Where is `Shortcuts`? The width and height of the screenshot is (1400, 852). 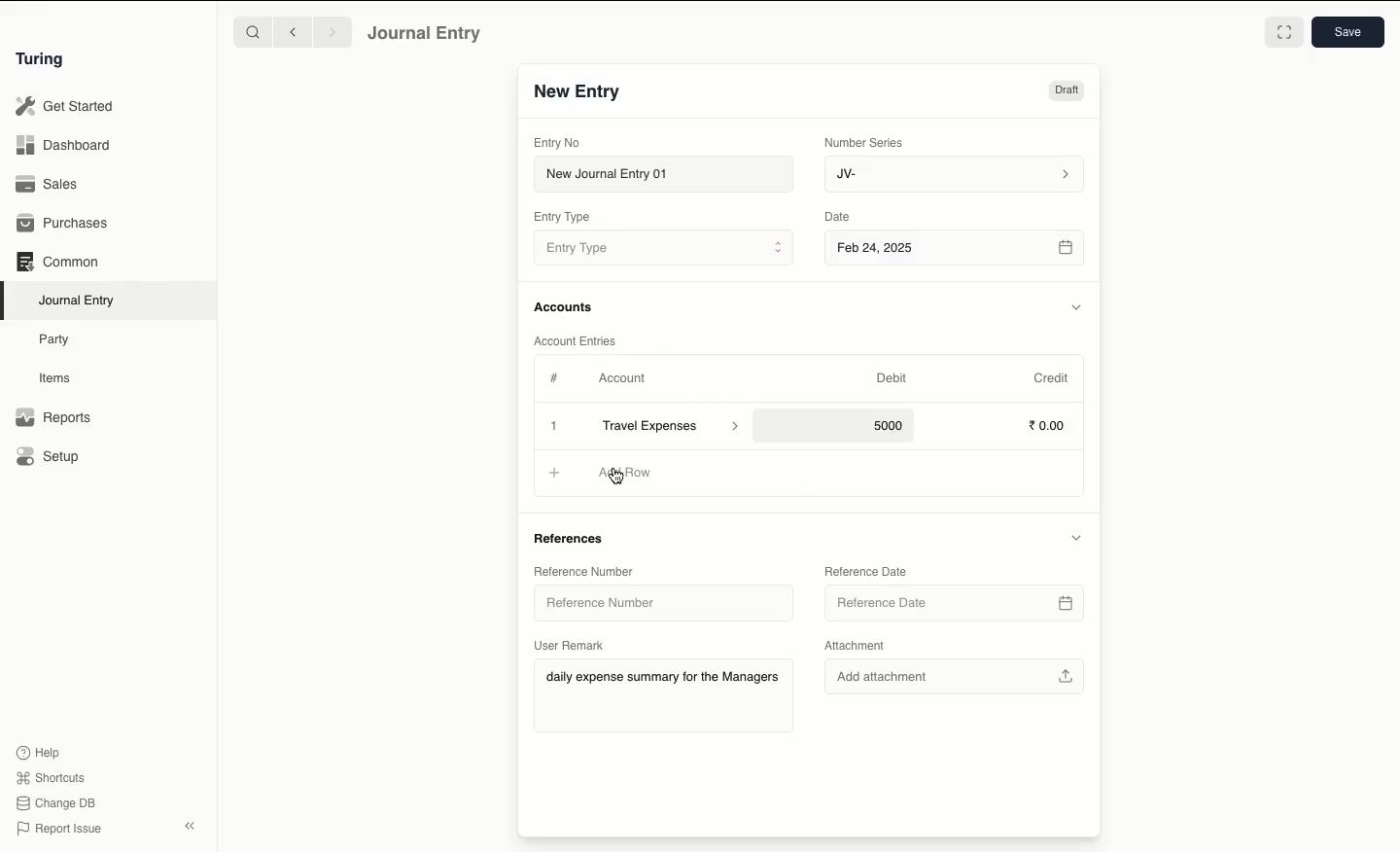
Shortcuts is located at coordinates (53, 778).